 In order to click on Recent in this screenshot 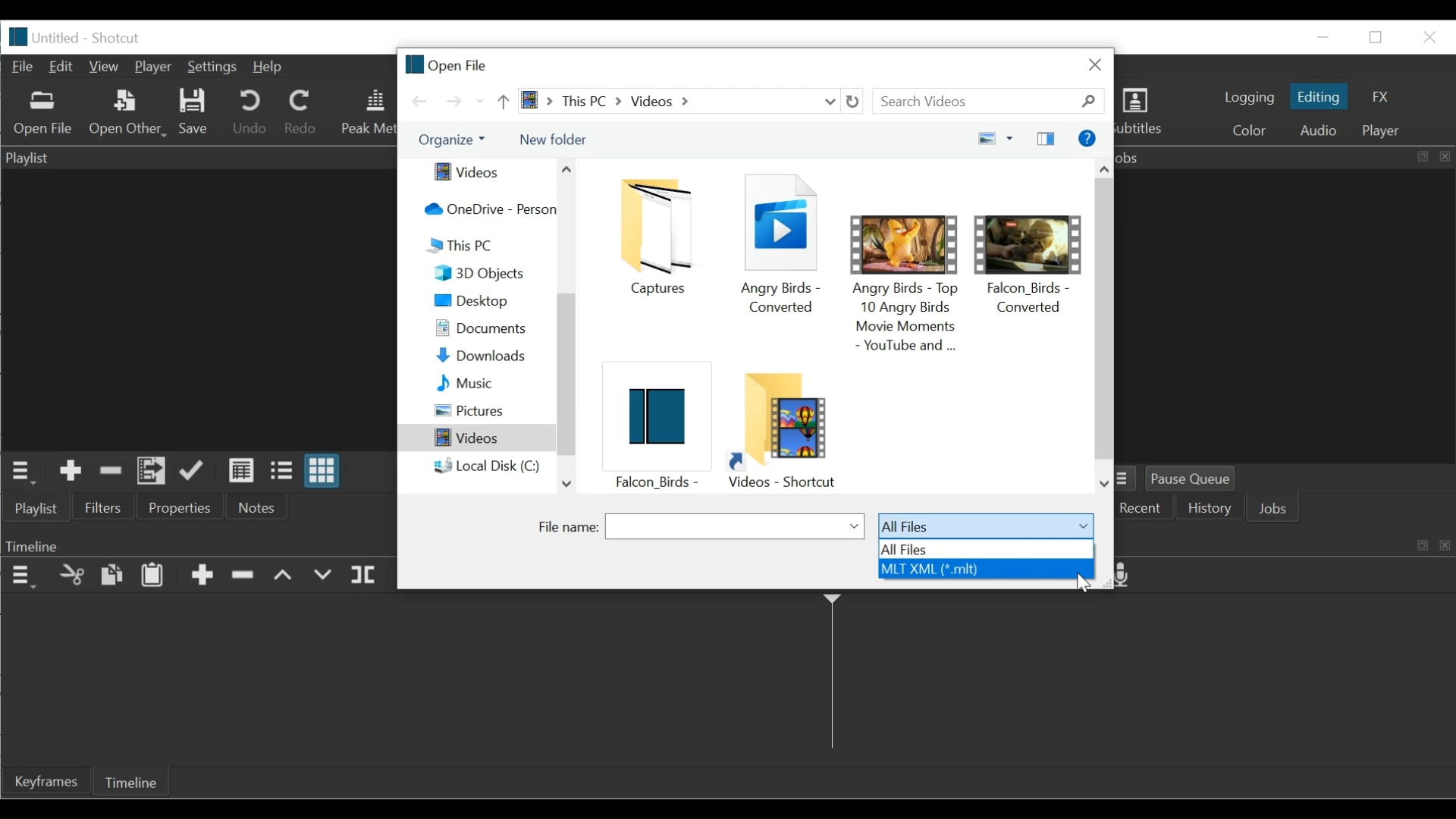, I will do `click(480, 102)`.